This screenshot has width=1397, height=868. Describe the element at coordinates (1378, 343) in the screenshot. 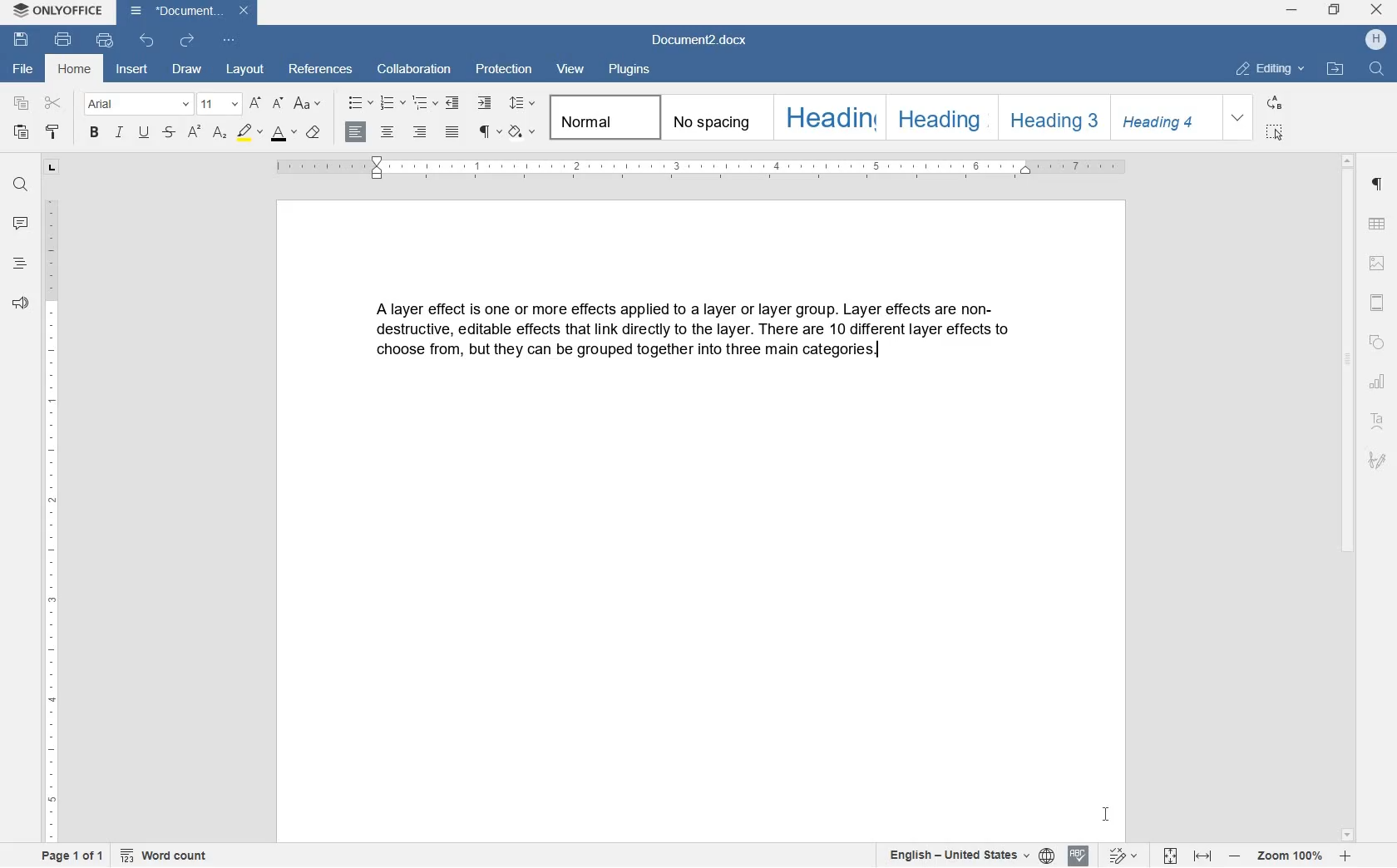

I see `shape` at that location.